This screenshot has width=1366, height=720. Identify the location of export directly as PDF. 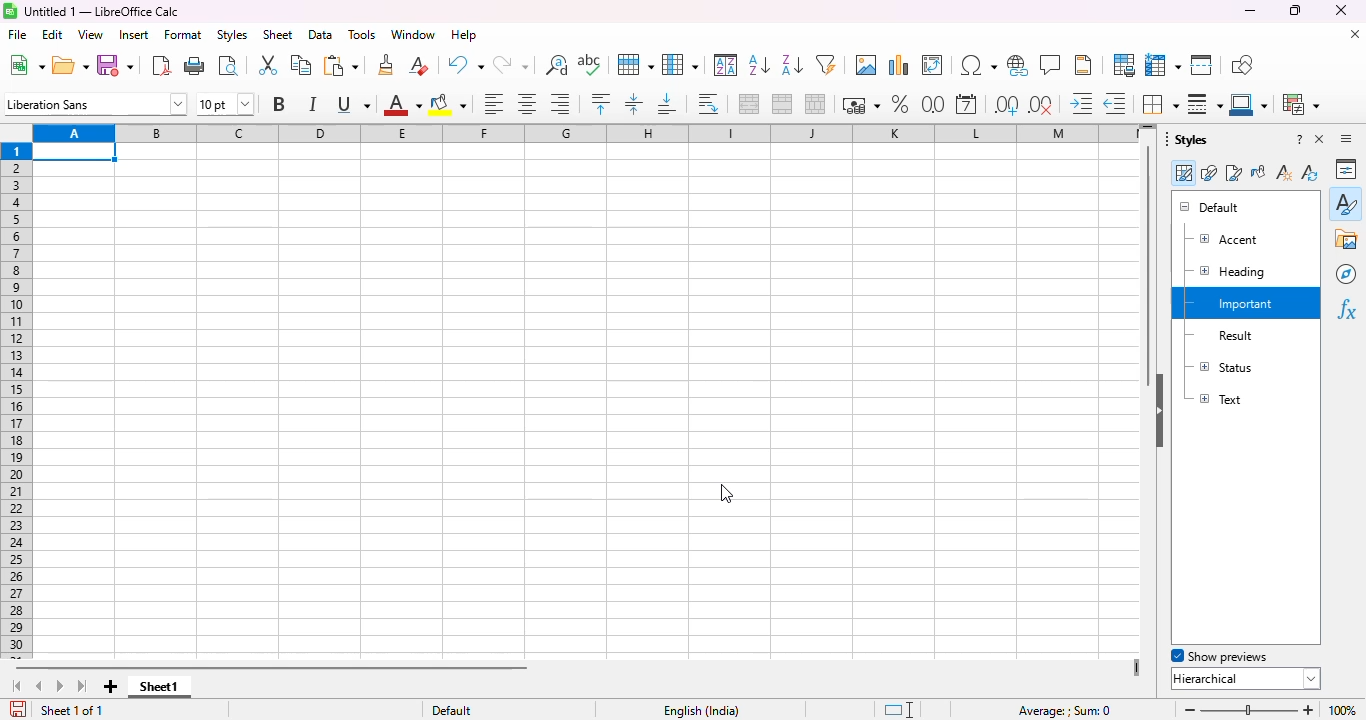
(162, 65).